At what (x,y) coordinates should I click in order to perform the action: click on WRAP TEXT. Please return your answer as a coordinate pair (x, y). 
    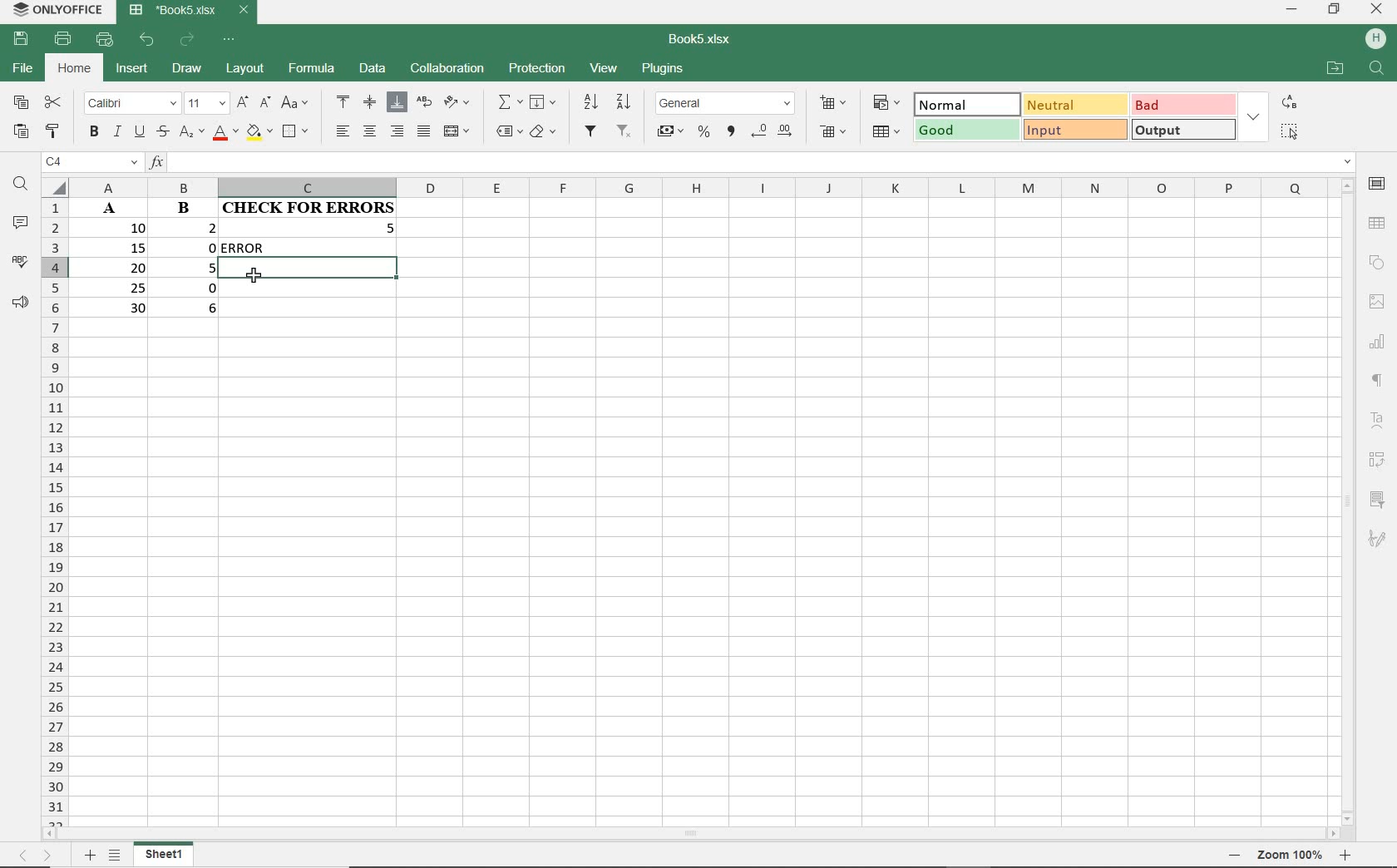
    Looking at the image, I should click on (423, 103).